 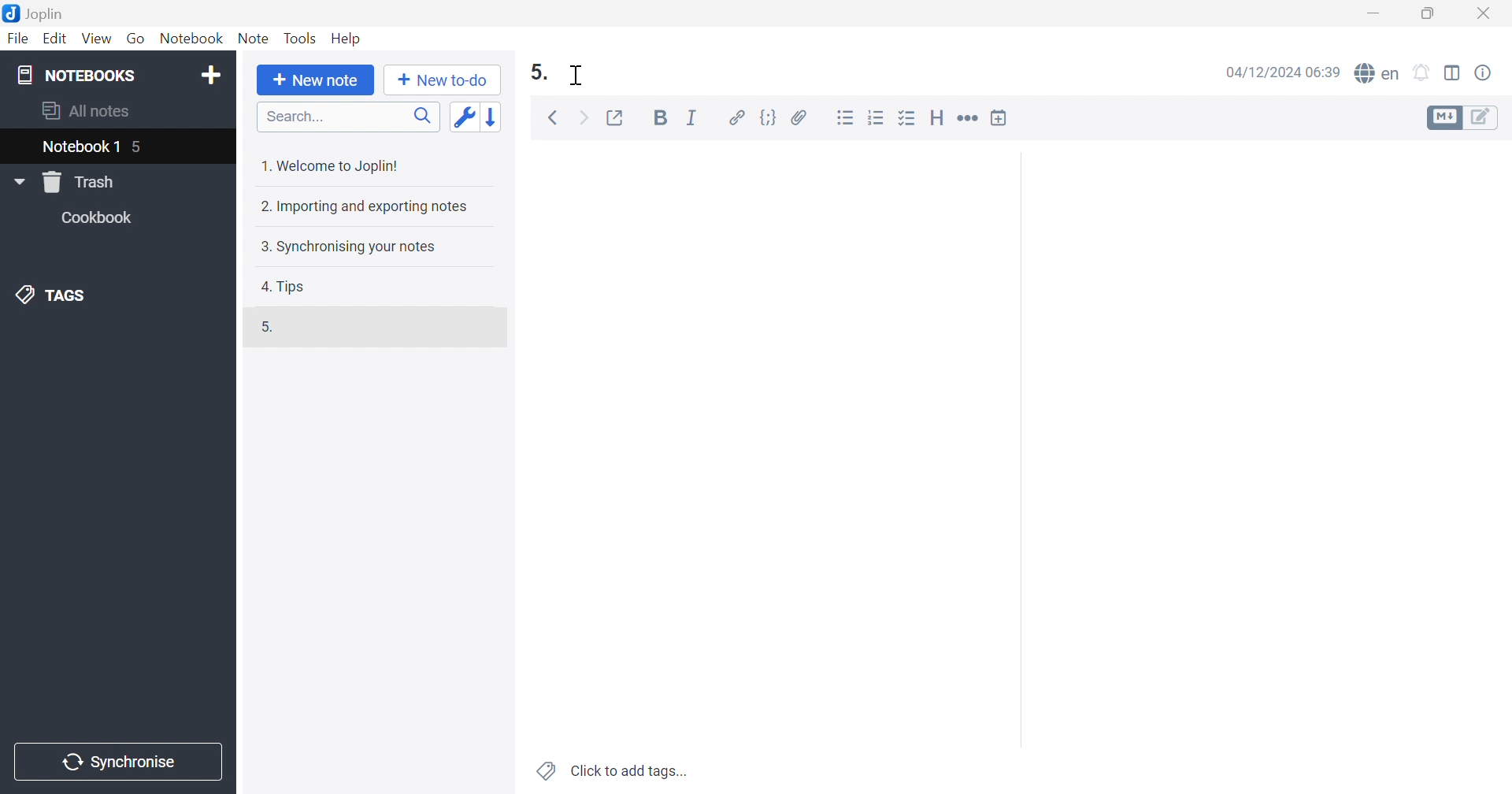 What do you see at coordinates (20, 39) in the screenshot?
I see `File` at bounding box center [20, 39].